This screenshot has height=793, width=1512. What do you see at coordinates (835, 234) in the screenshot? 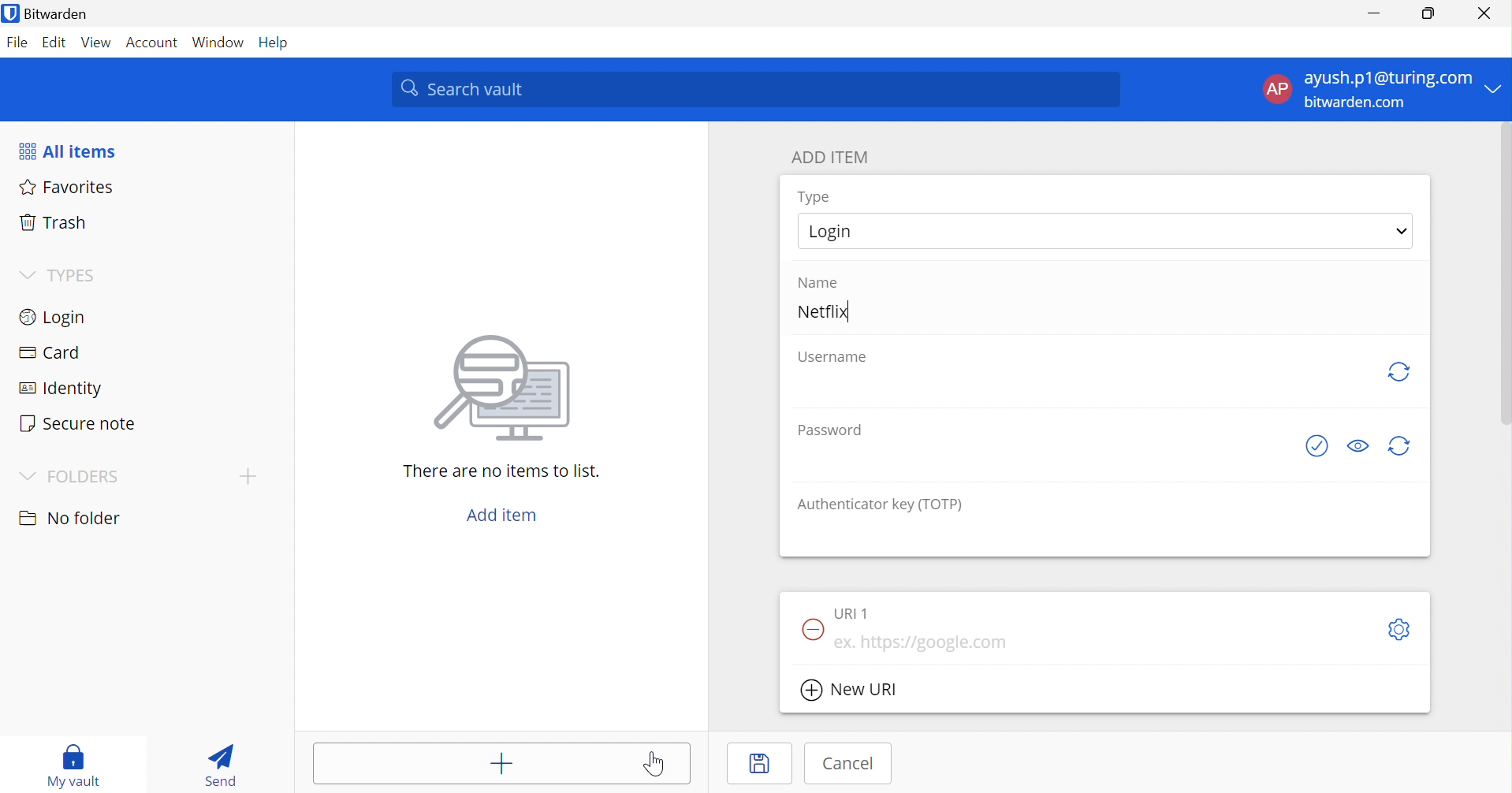
I see `Login` at bounding box center [835, 234].